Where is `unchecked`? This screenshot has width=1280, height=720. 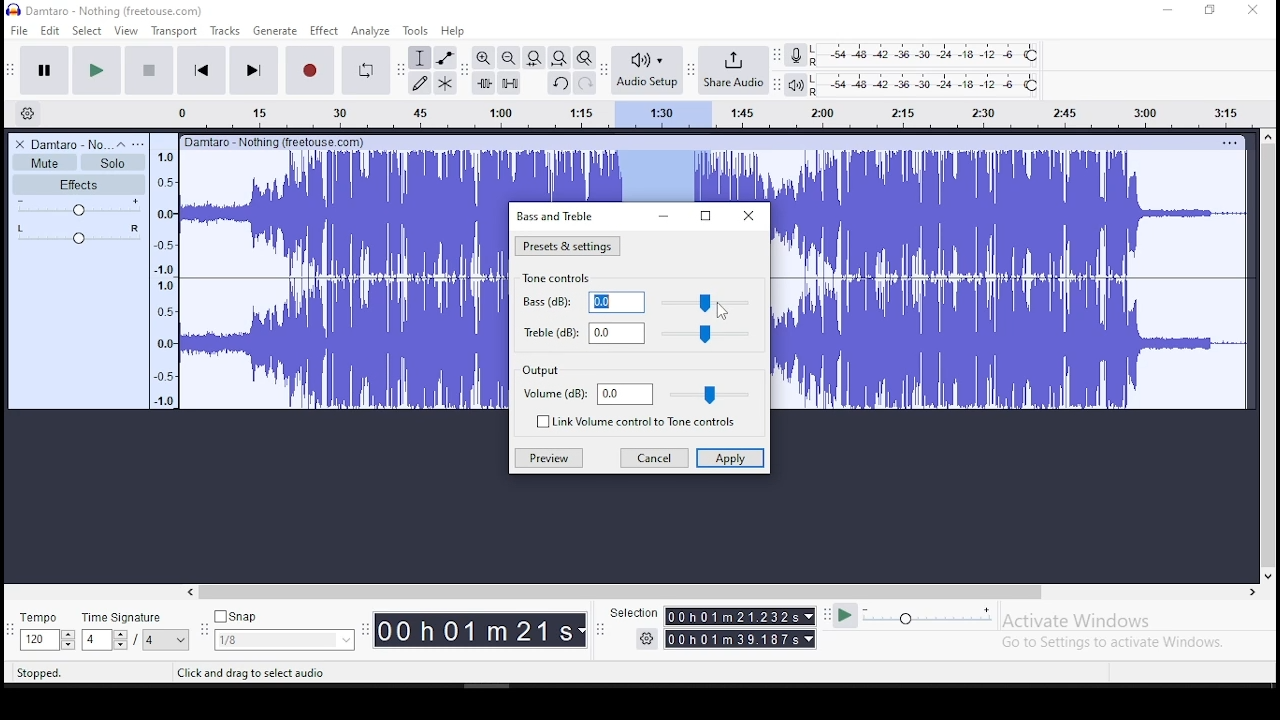 unchecked is located at coordinates (540, 421).